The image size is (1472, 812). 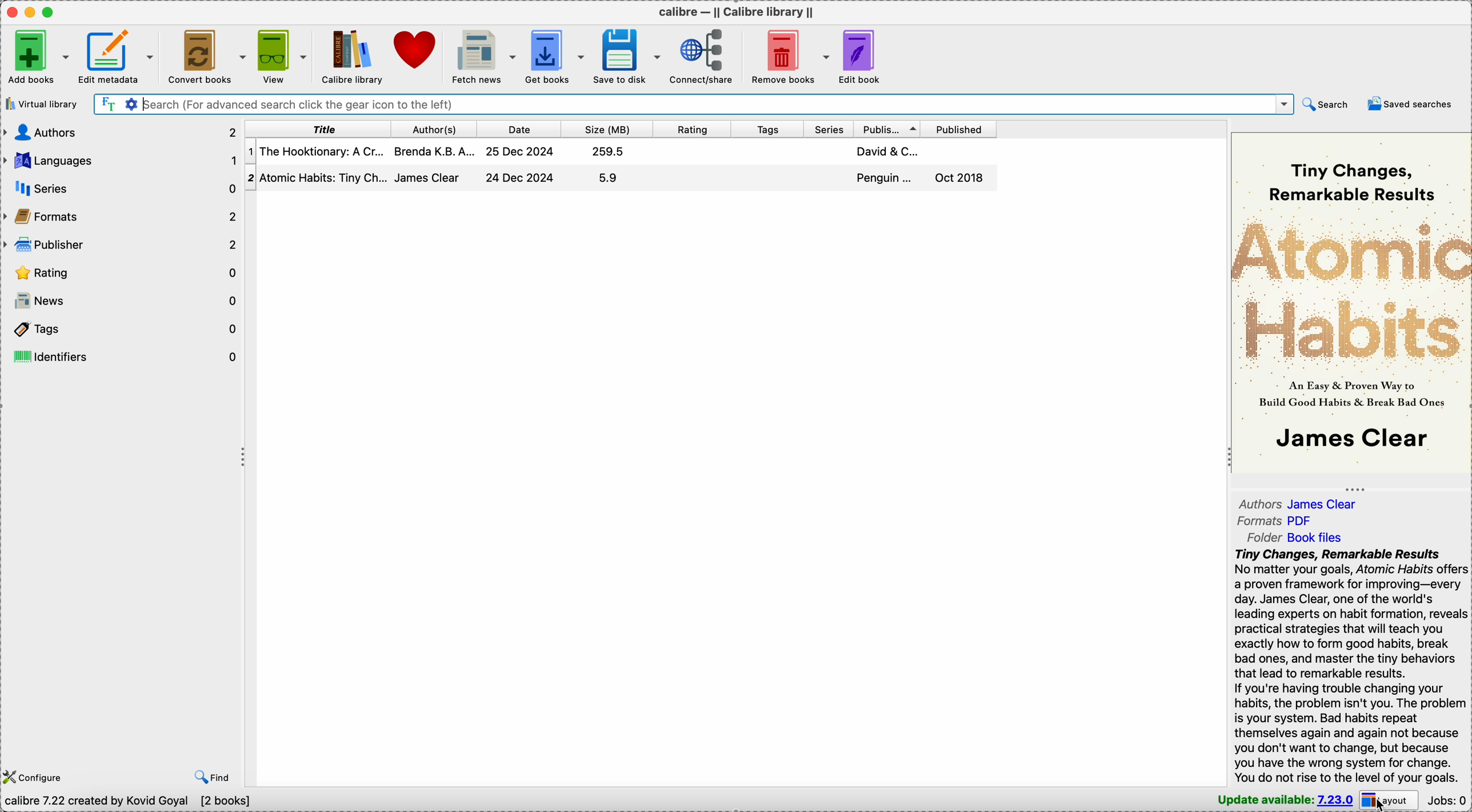 What do you see at coordinates (13, 12) in the screenshot?
I see `close` at bounding box center [13, 12].